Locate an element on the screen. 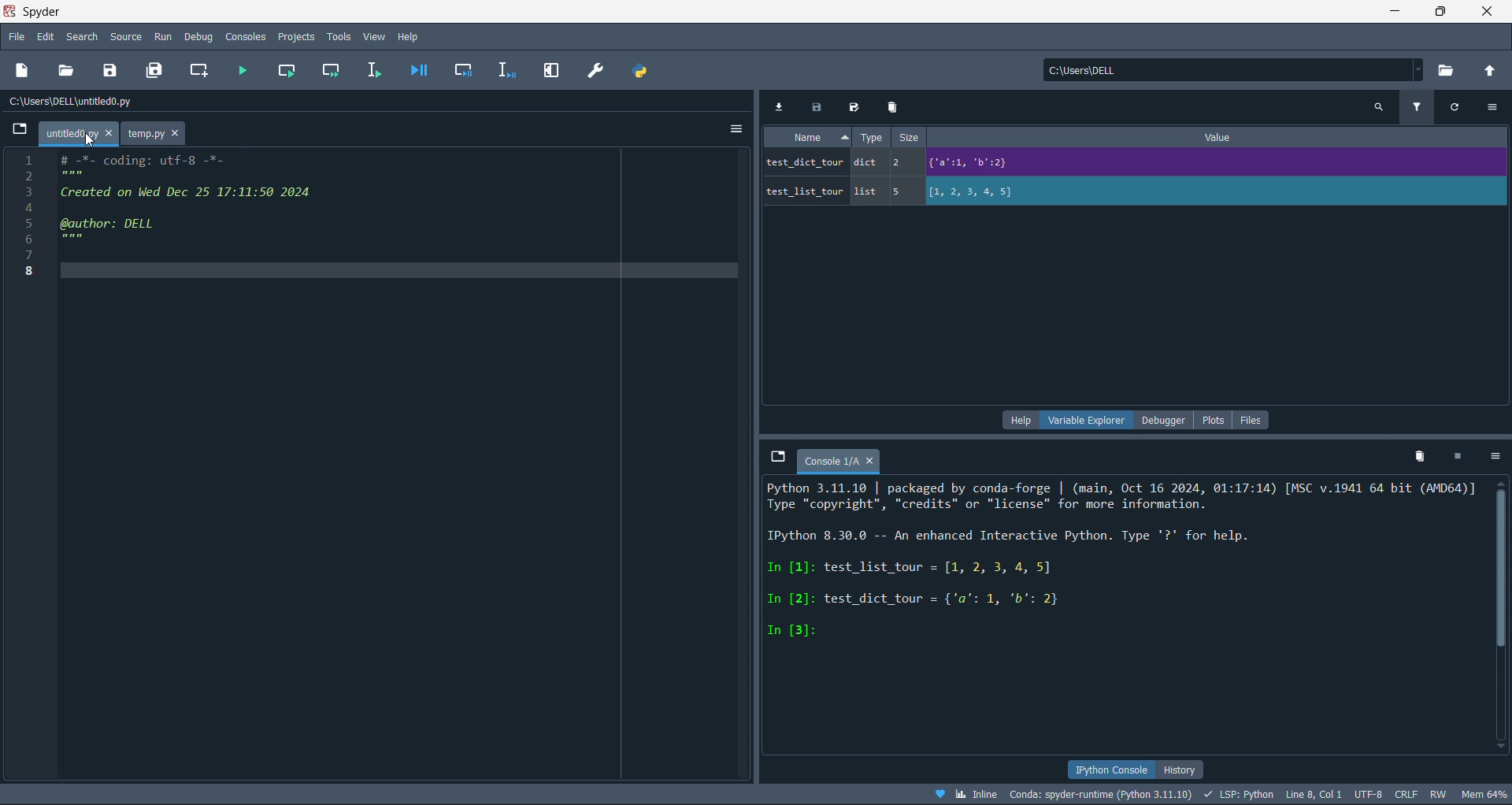 This screenshot has height=805, width=1512. save data as is located at coordinates (854, 106).